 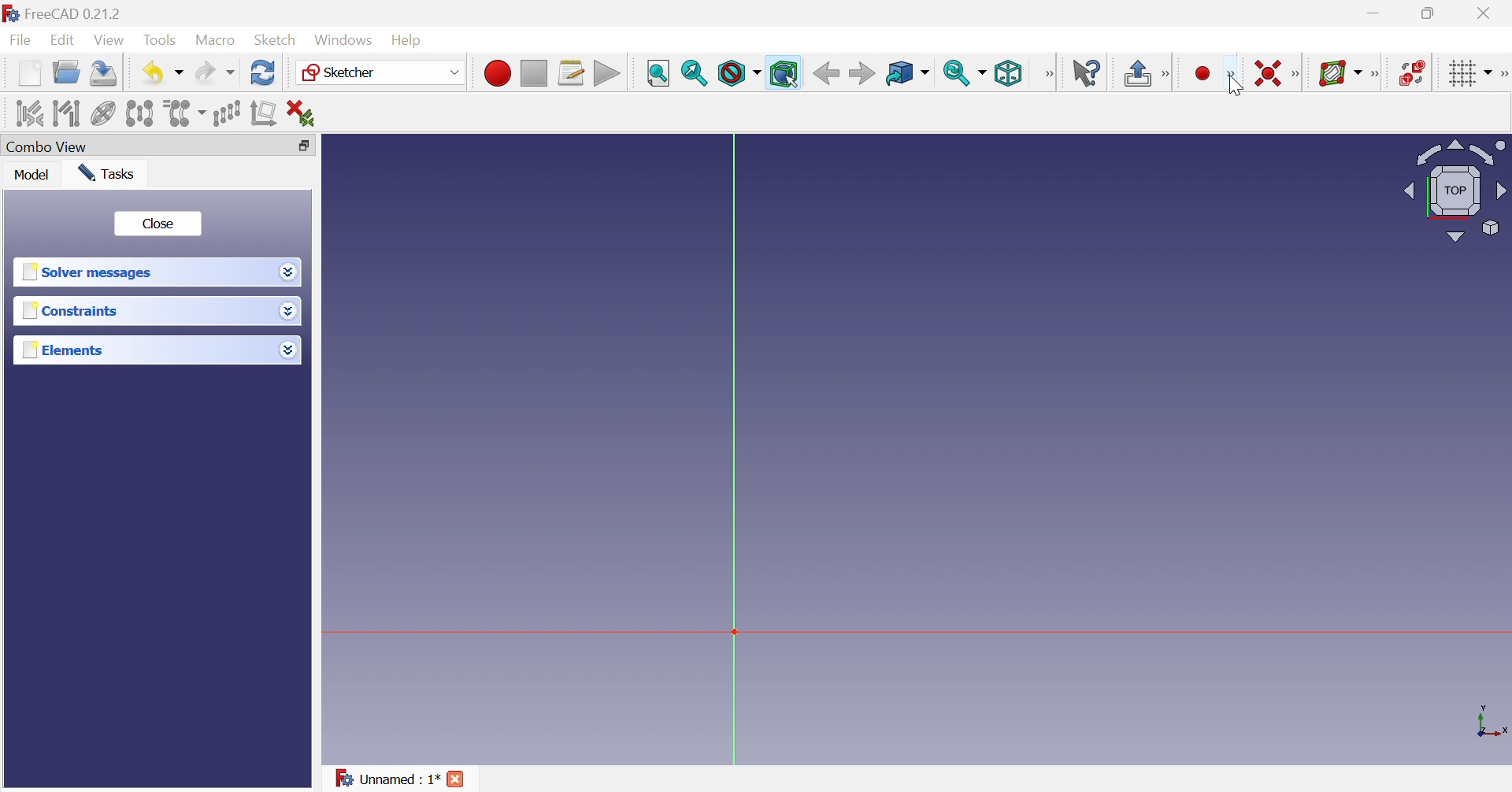 What do you see at coordinates (103, 113) in the screenshot?
I see `Show/hide internal geometry` at bounding box center [103, 113].